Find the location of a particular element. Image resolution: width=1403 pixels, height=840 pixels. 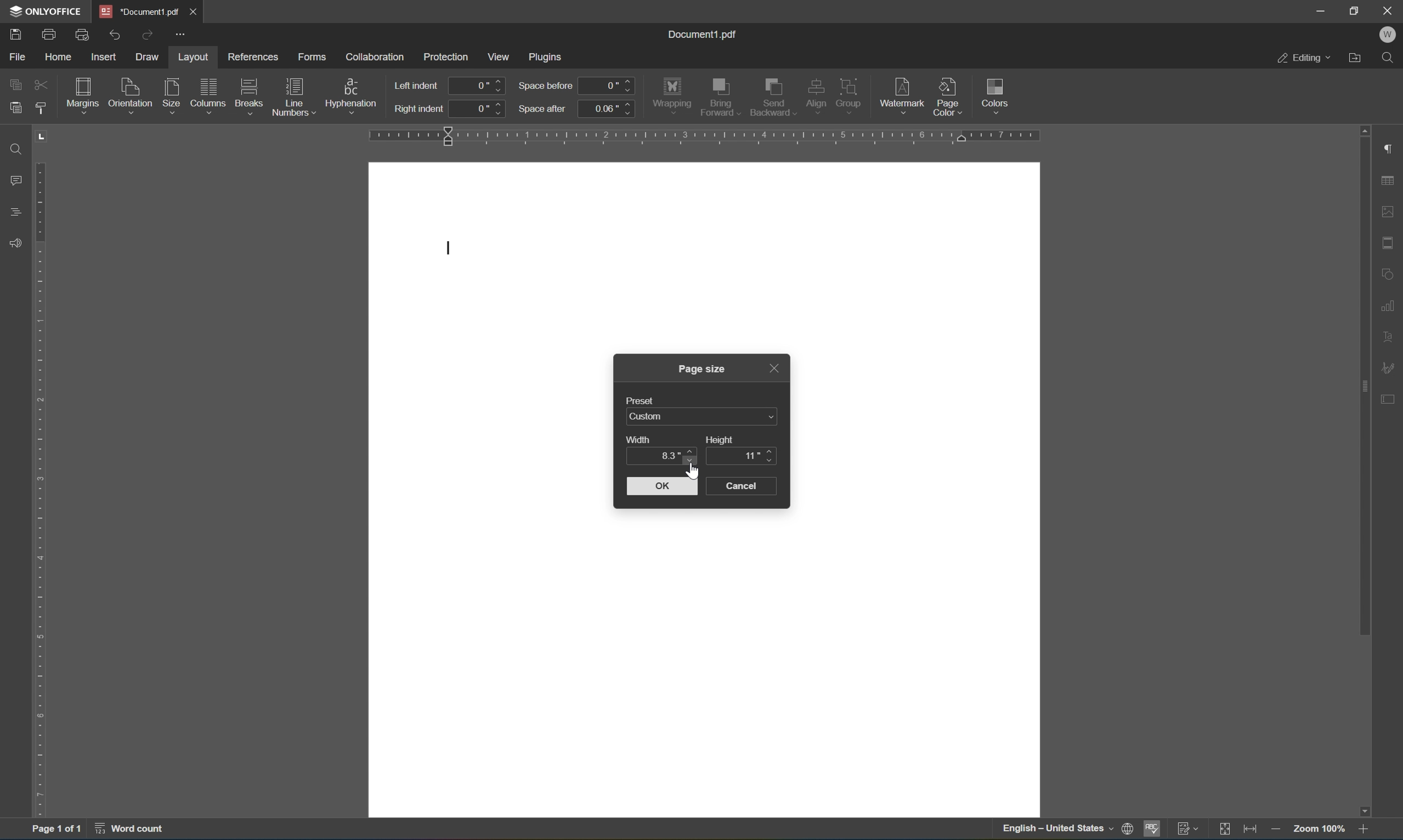

file is located at coordinates (18, 56).